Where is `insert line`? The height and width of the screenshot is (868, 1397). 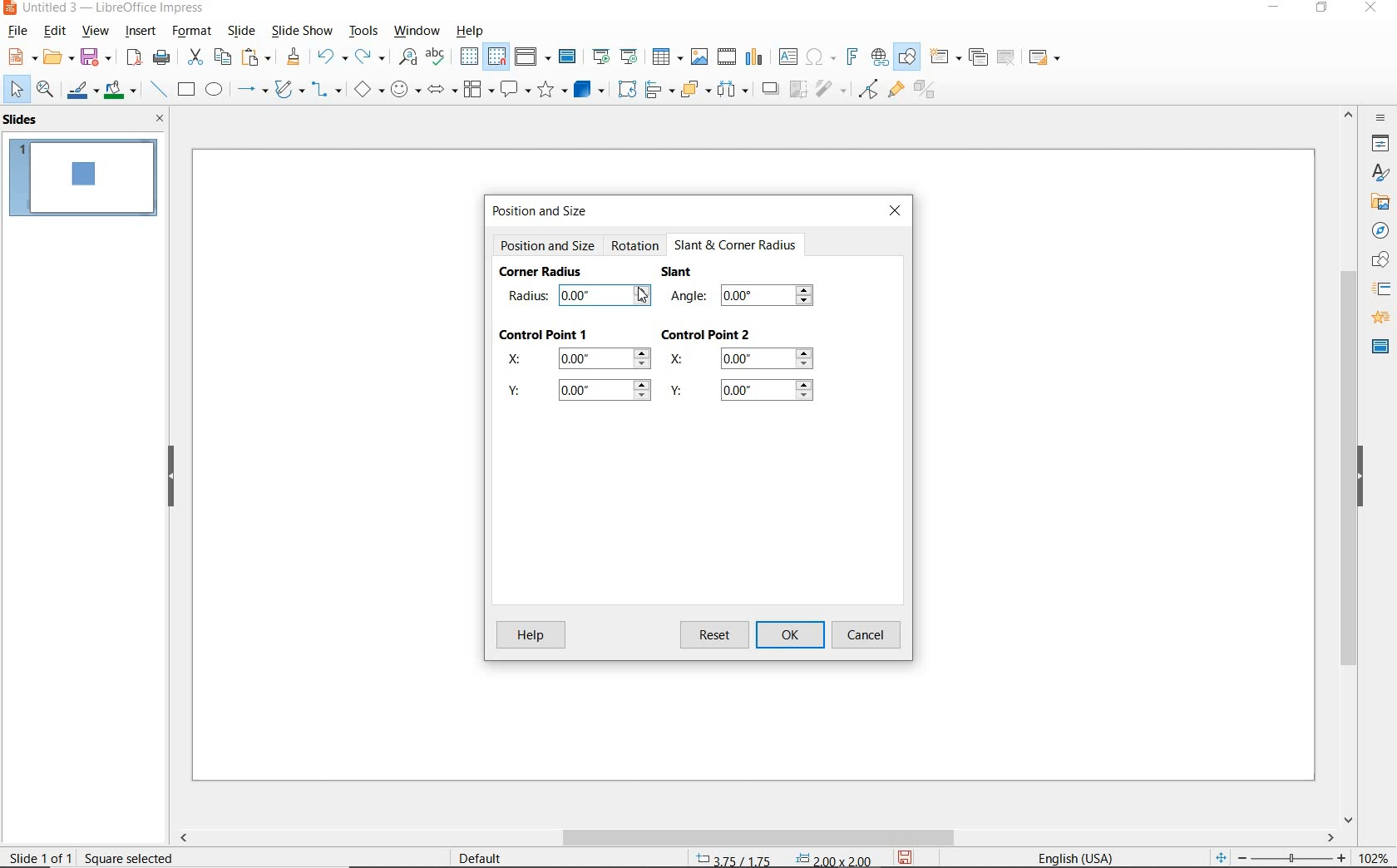
insert line is located at coordinates (158, 90).